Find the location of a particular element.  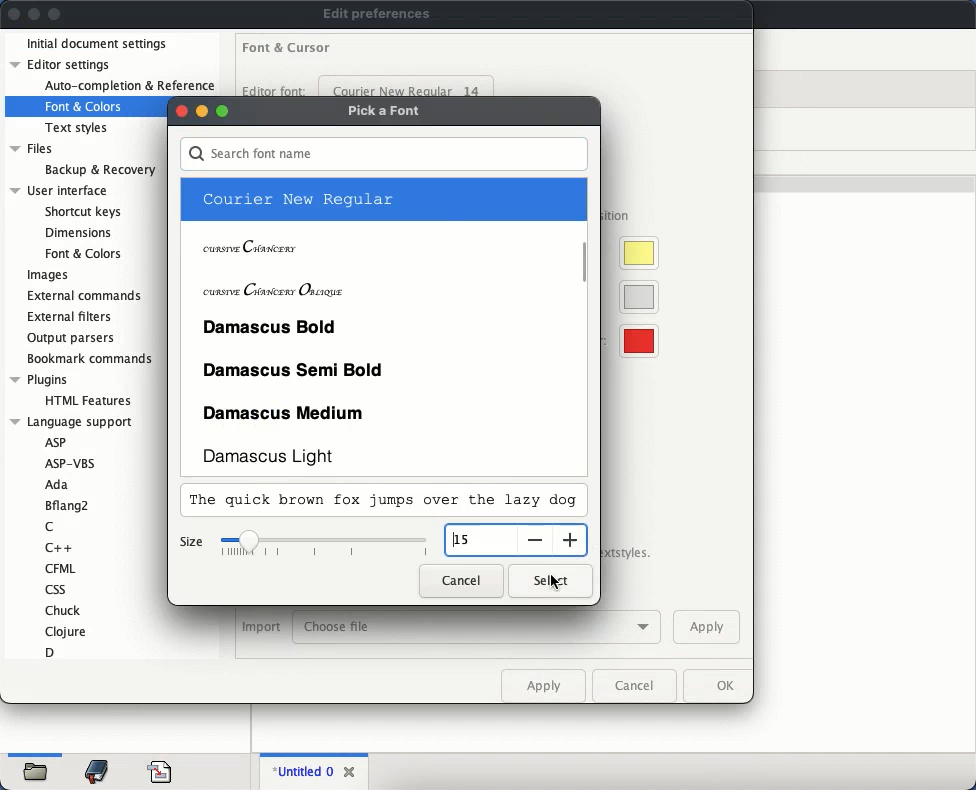

open is located at coordinates (37, 774).